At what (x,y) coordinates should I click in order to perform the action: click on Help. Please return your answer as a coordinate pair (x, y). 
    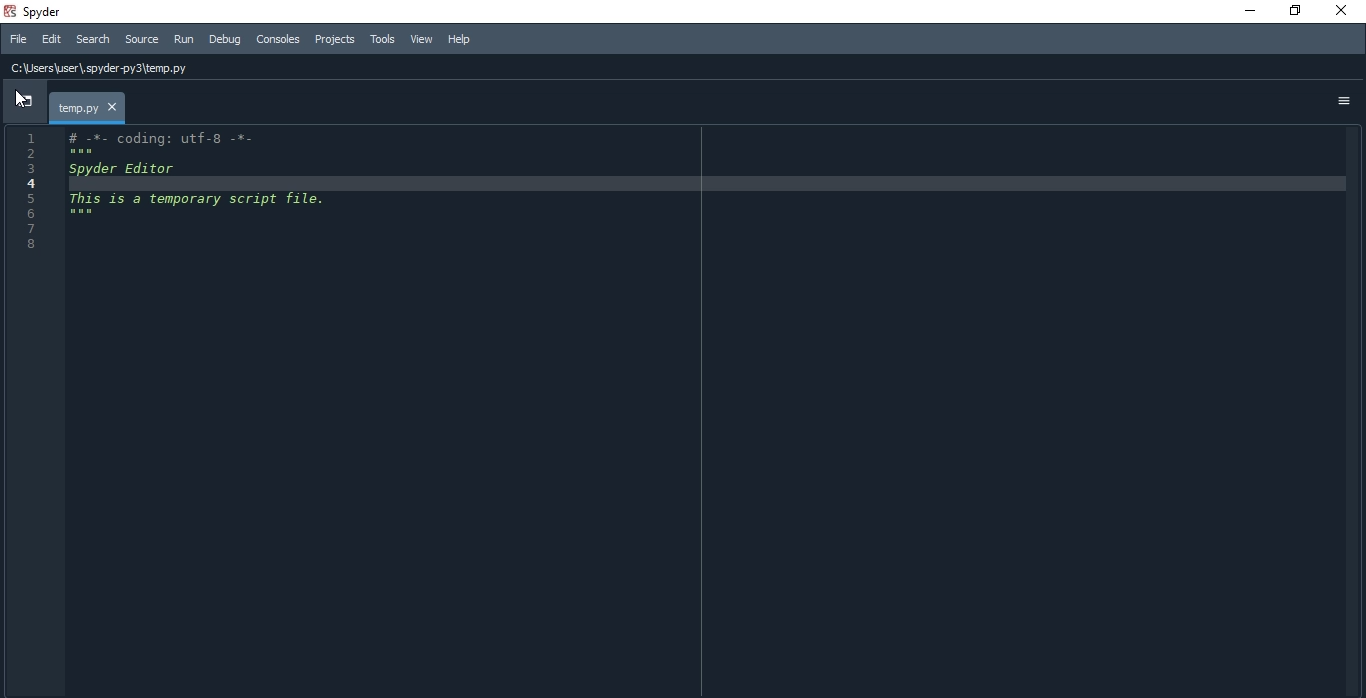
    Looking at the image, I should click on (468, 38).